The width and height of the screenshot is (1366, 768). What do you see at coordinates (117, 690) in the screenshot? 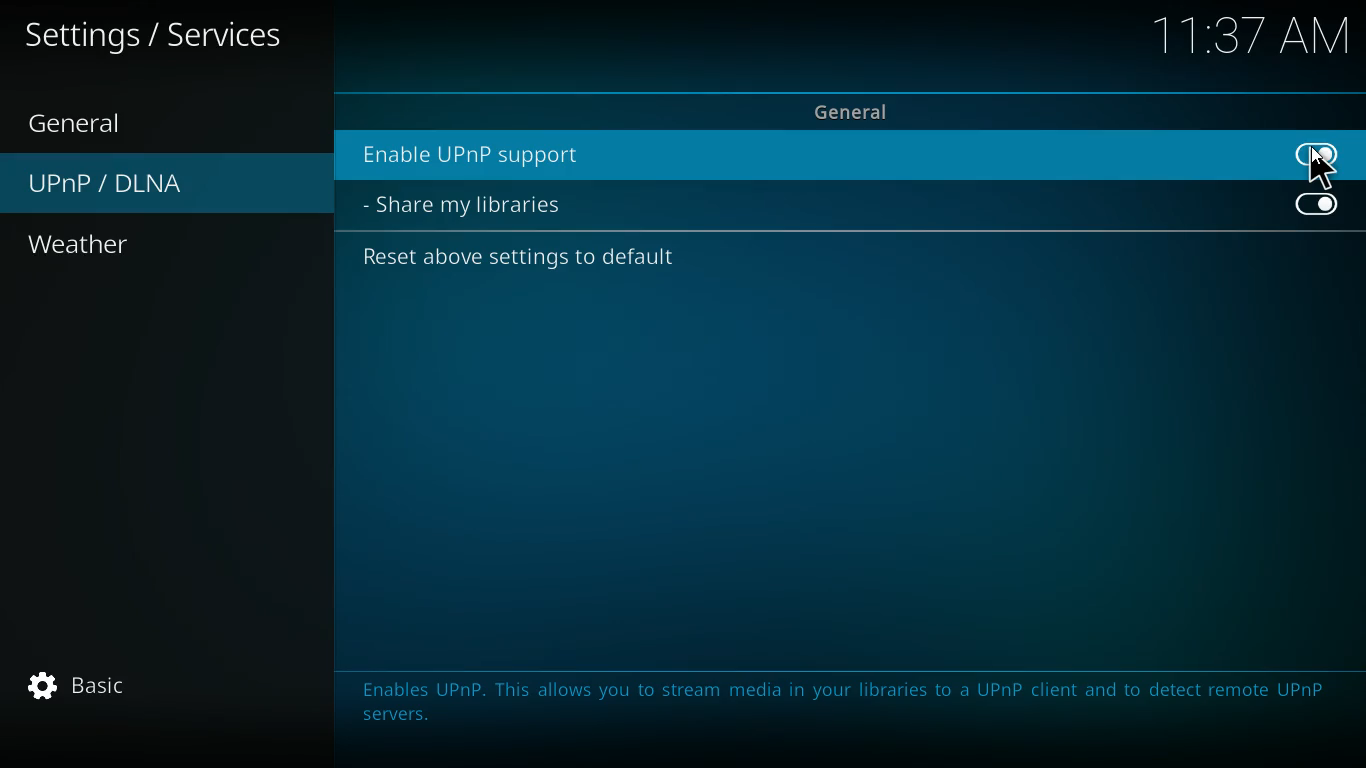
I see `basic` at bounding box center [117, 690].